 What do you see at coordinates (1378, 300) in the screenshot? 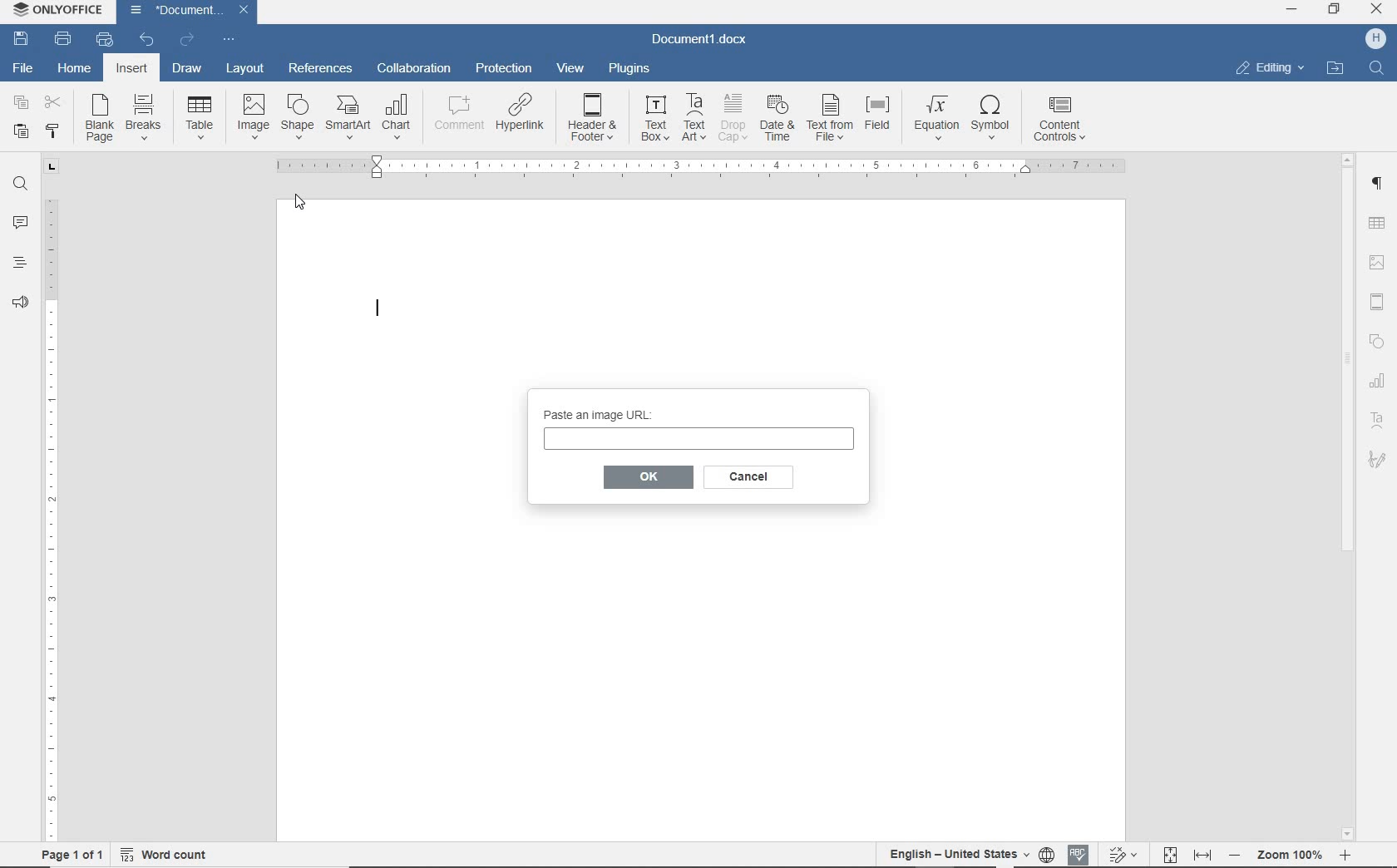
I see `header & footer` at bounding box center [1378, 300].